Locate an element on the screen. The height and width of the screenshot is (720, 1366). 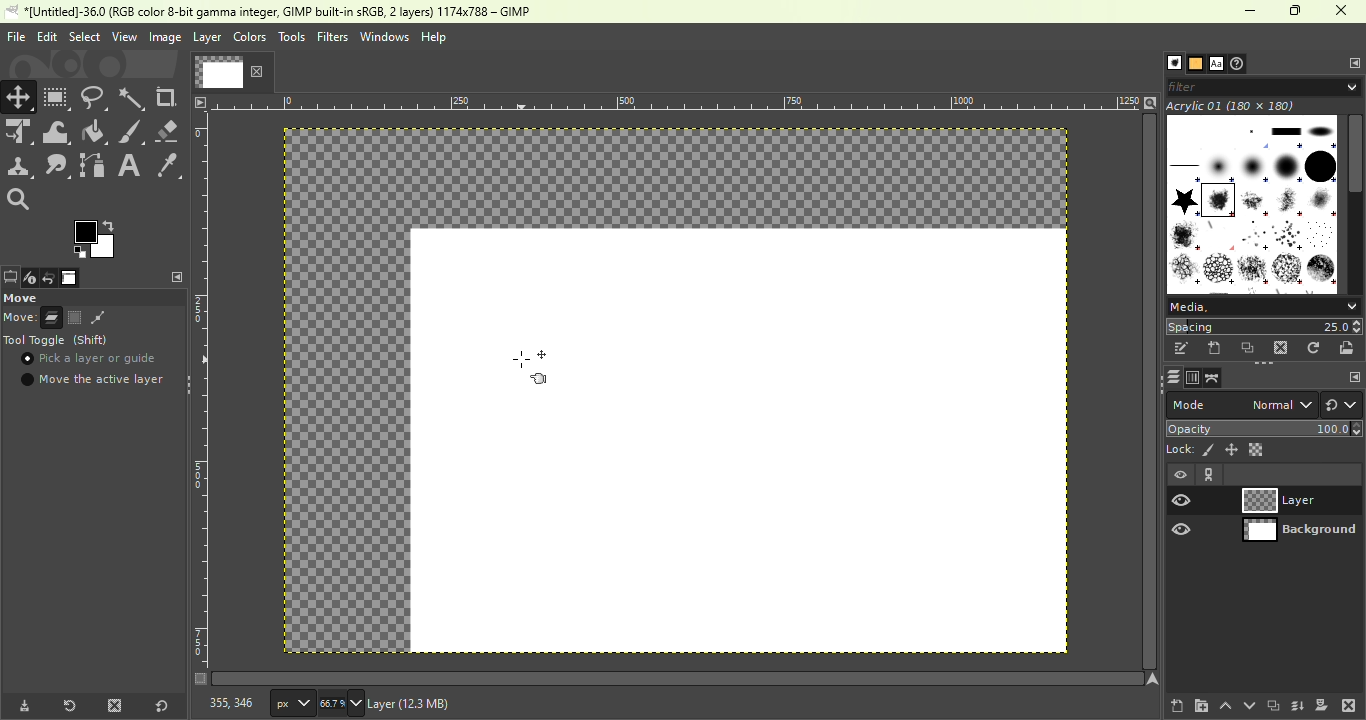
Switch to another group of modes is located at coordinates (1342, 405).